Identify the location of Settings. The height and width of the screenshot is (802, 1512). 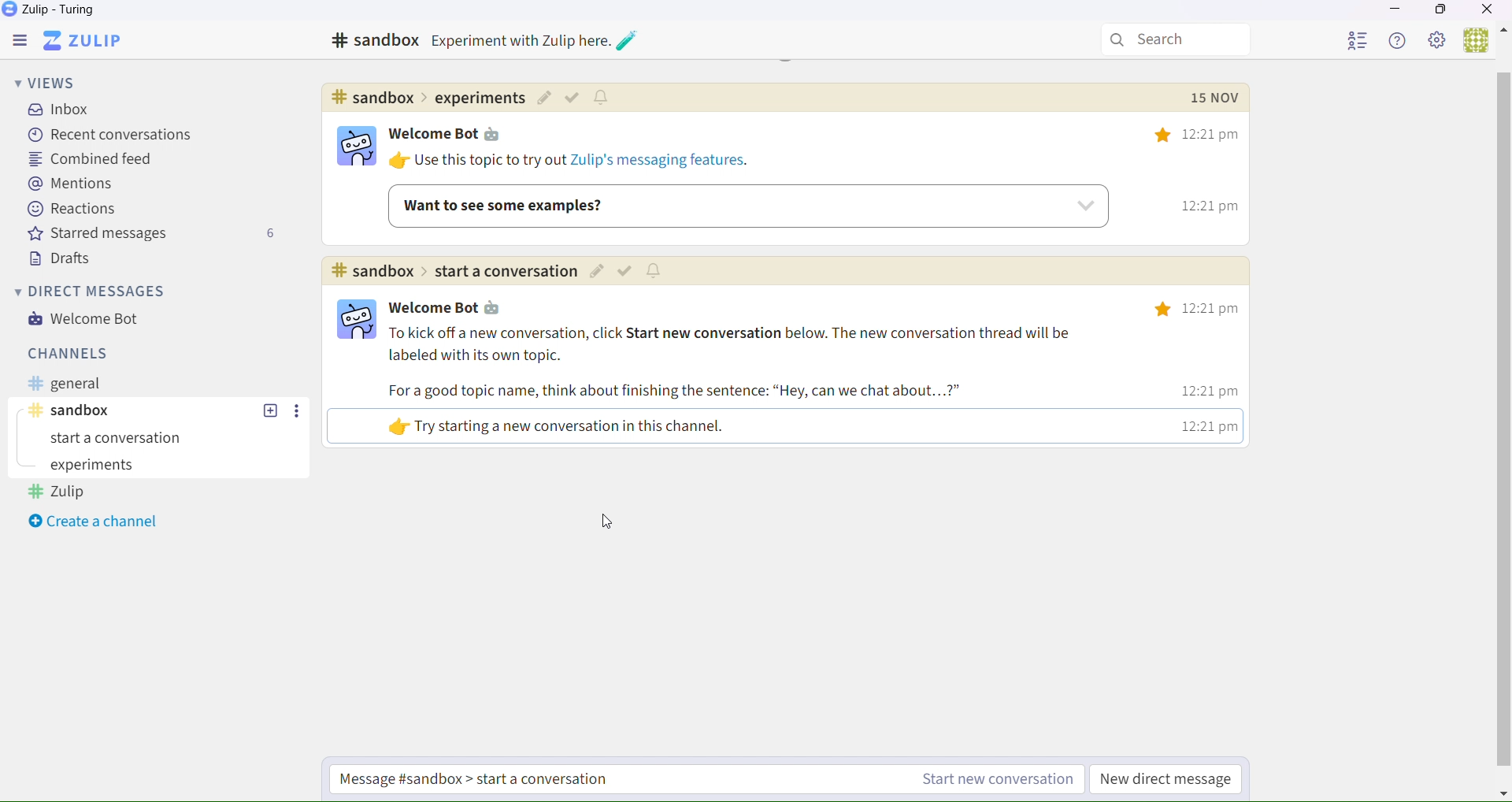
(1440, 42).